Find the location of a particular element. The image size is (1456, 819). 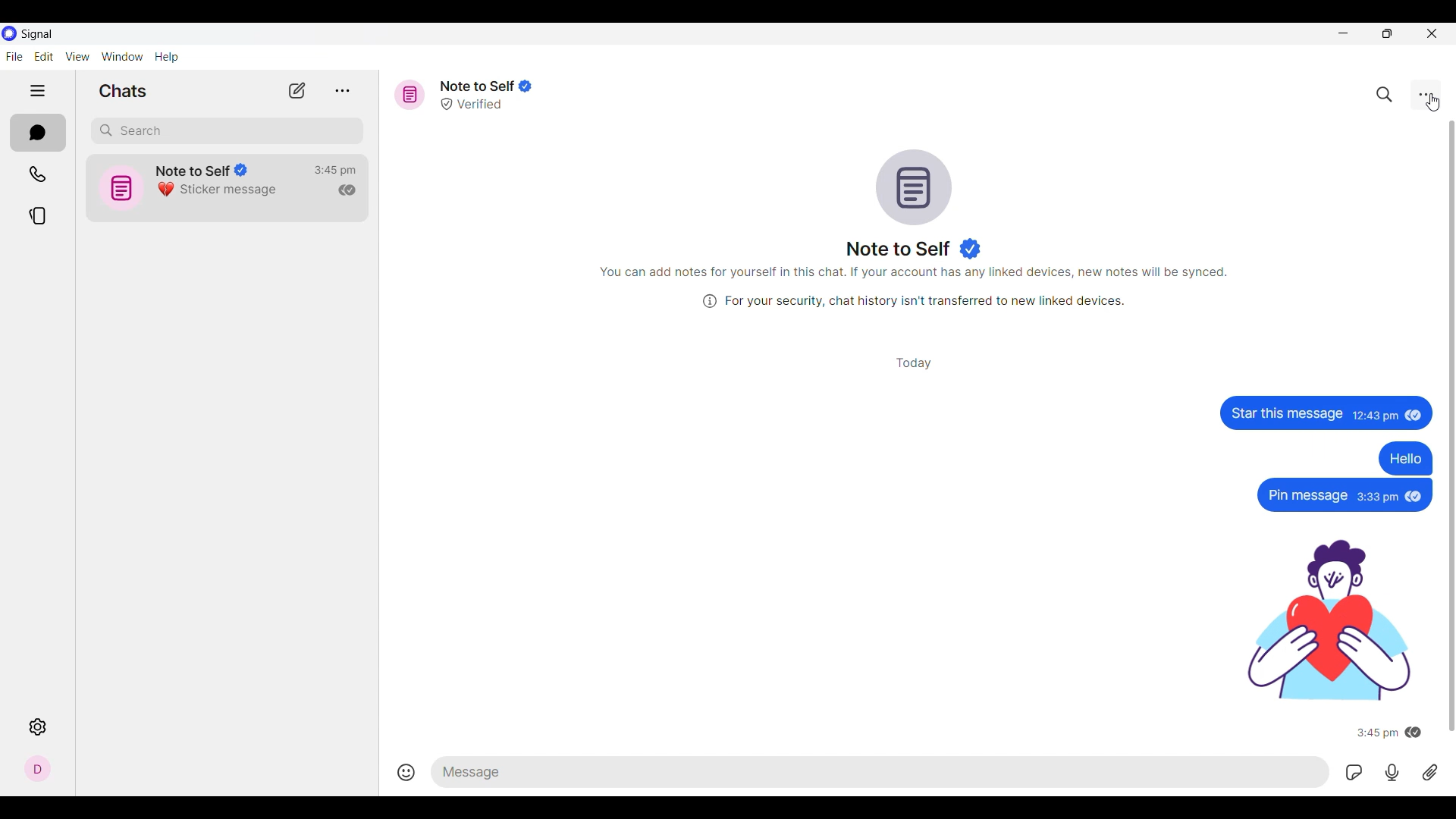

Conversation logo is located at coordinates (917, 186).